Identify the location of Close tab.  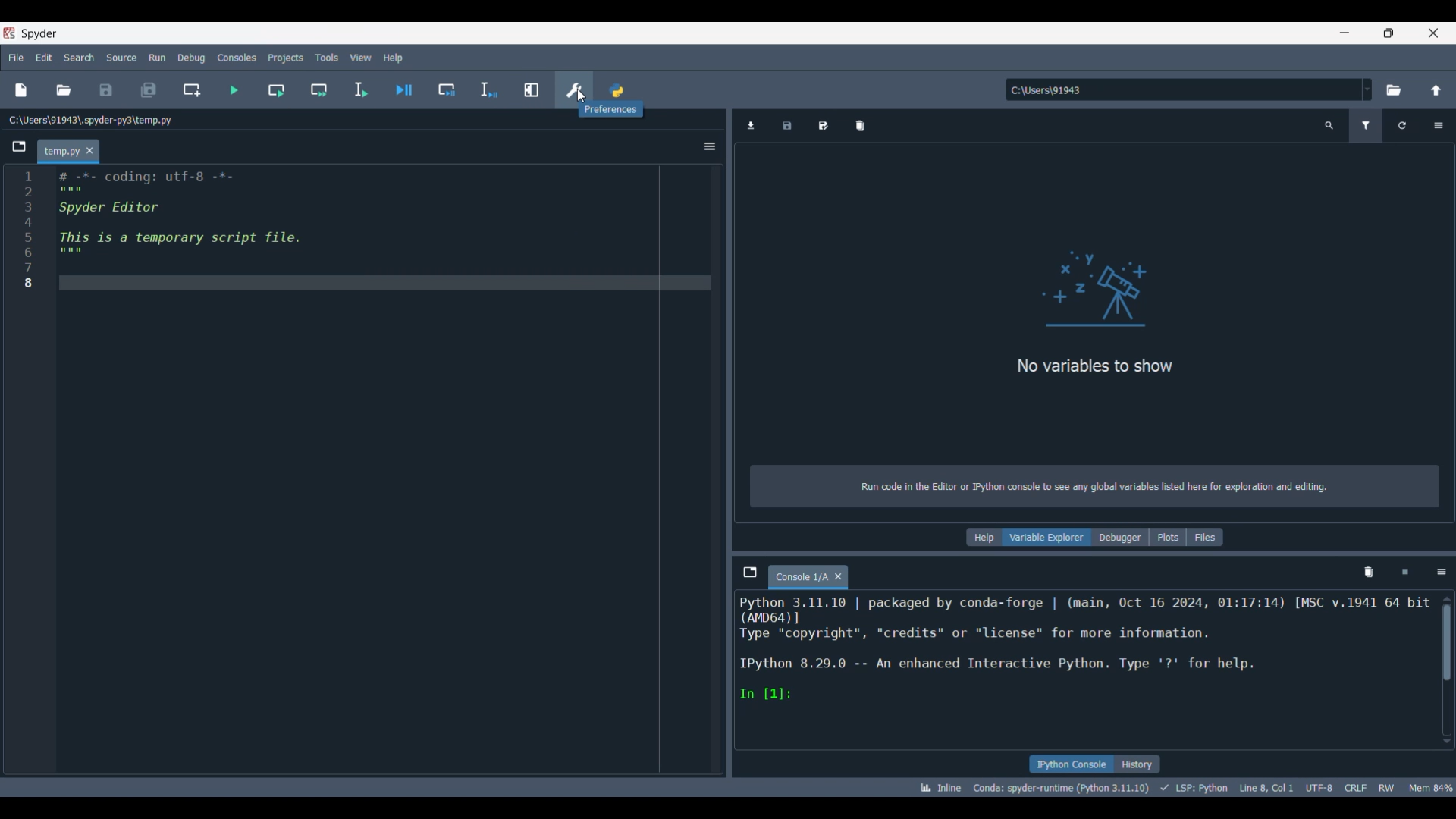
(89, 150).